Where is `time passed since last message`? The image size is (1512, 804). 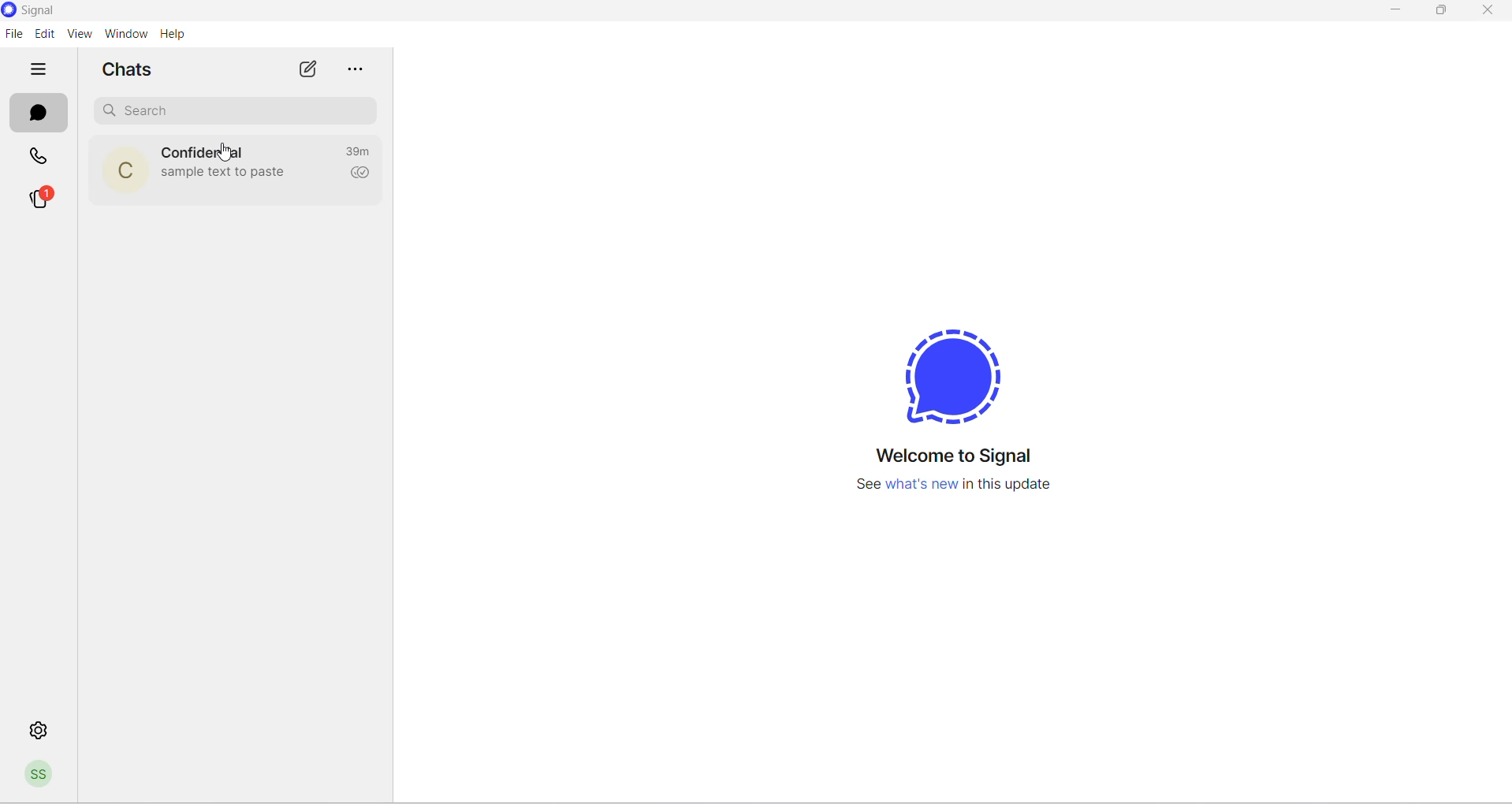 time passed since last message is located at coordinates (362, 152).